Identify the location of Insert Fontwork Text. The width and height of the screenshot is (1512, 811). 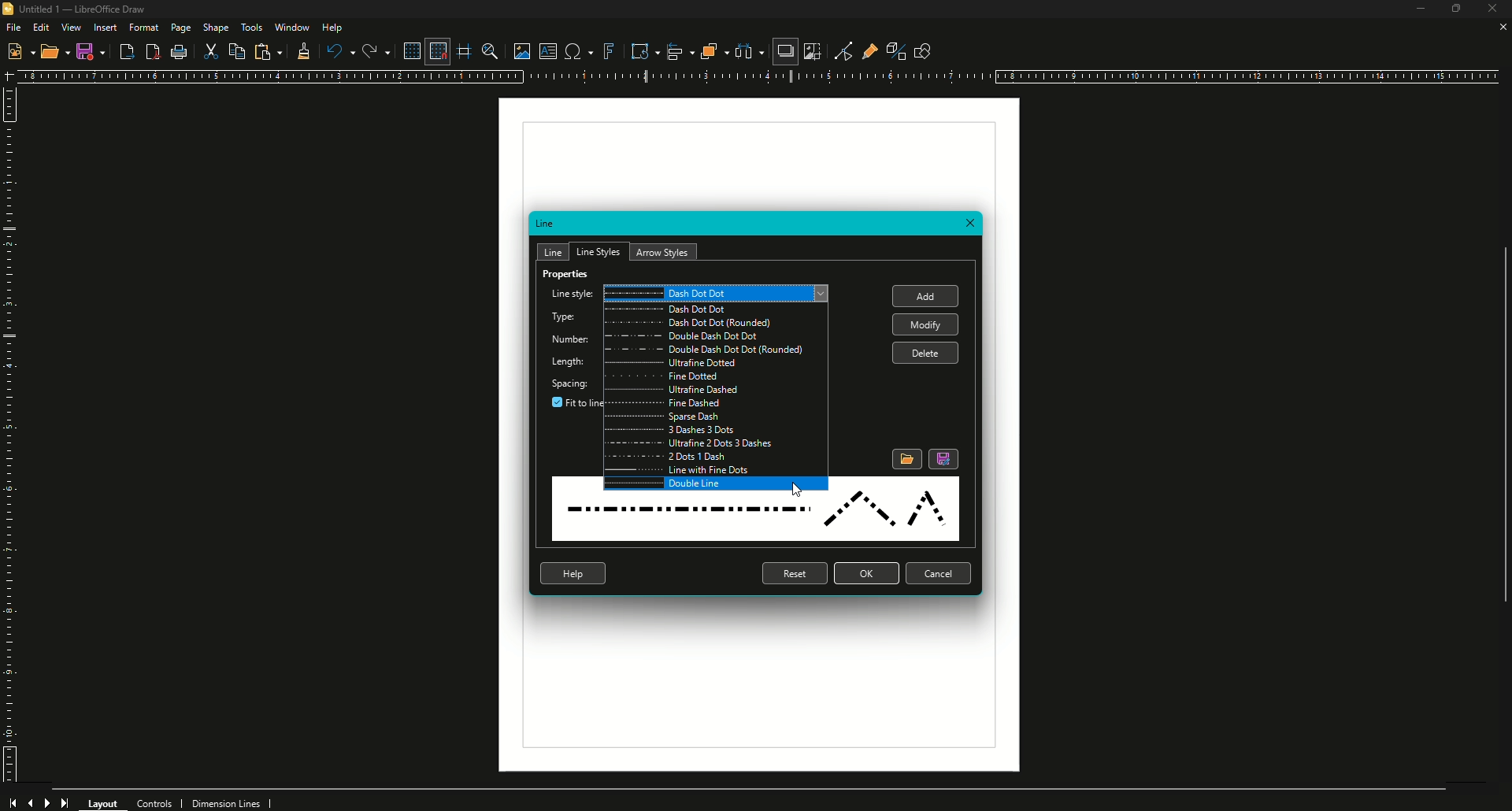
(608, 51).